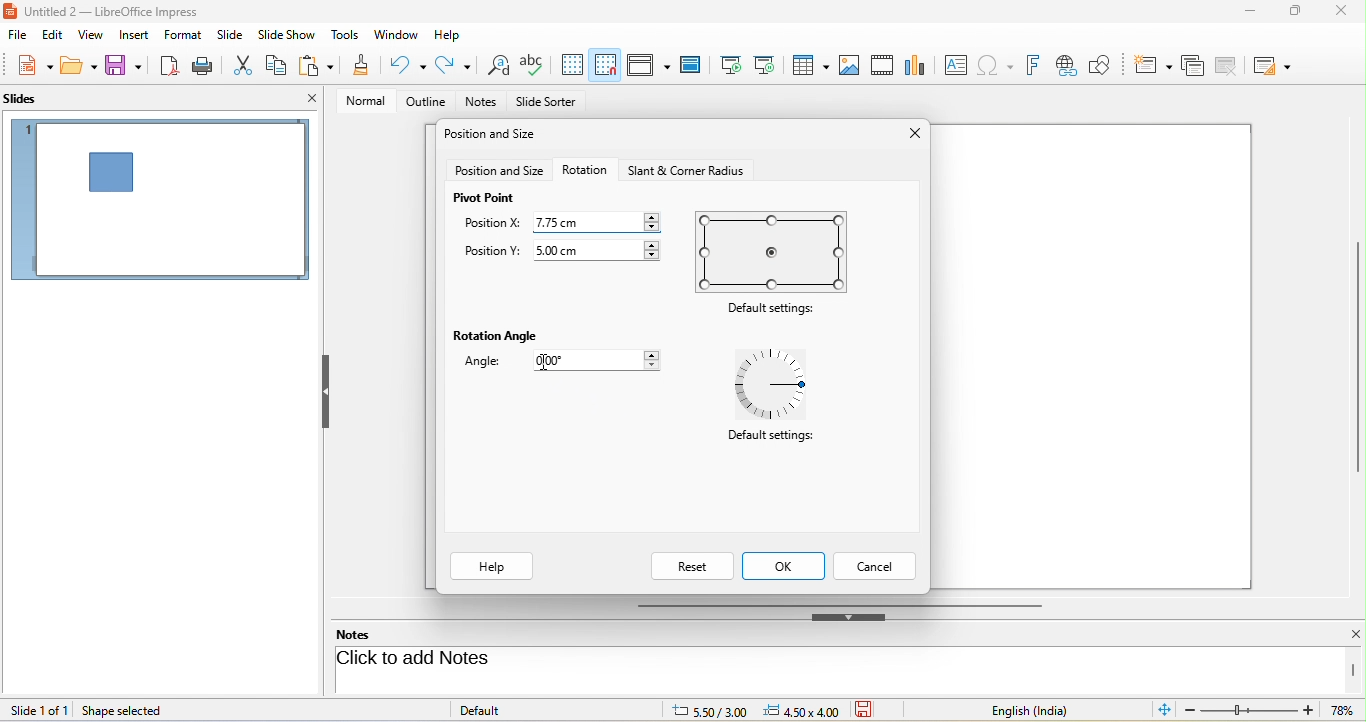 The image size is (1366, 722). I want to click on format, so click(186, 37).